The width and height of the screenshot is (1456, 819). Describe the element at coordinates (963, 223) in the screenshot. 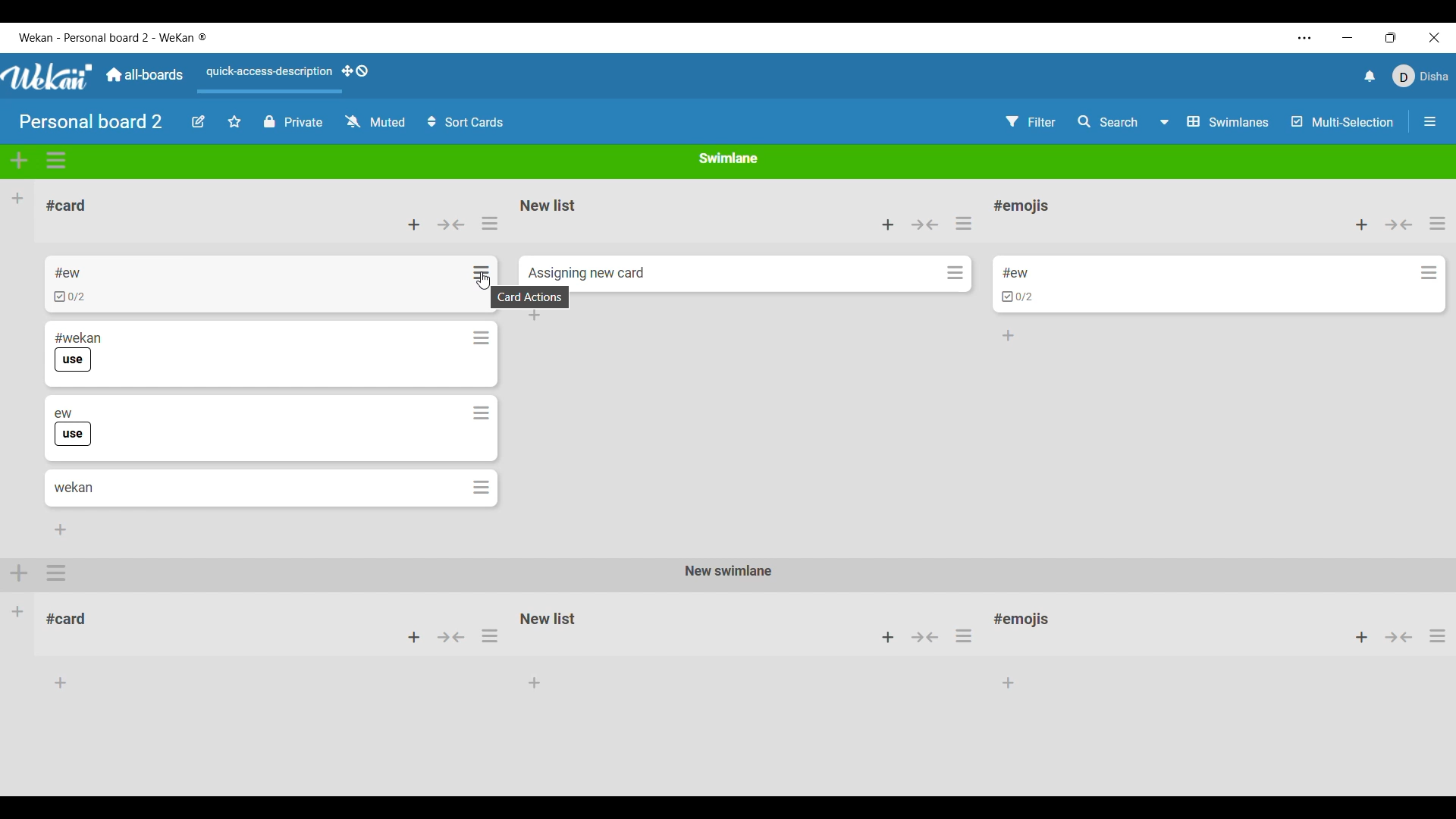

I see `List actions` at that location.